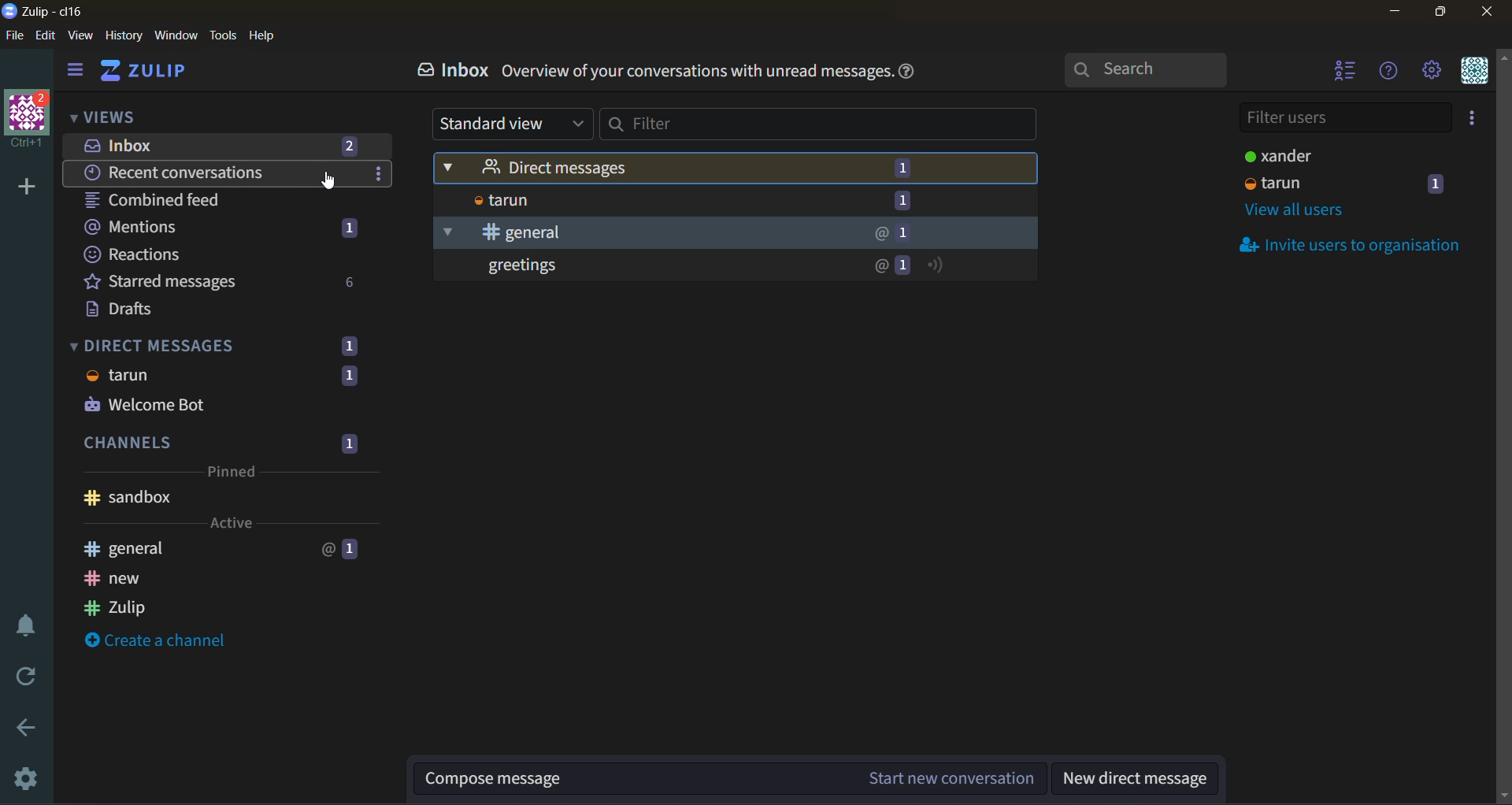 Image resolution: width=1512 pixels, height=805 pixels. I want to click on users and status, so click(1324, 154).